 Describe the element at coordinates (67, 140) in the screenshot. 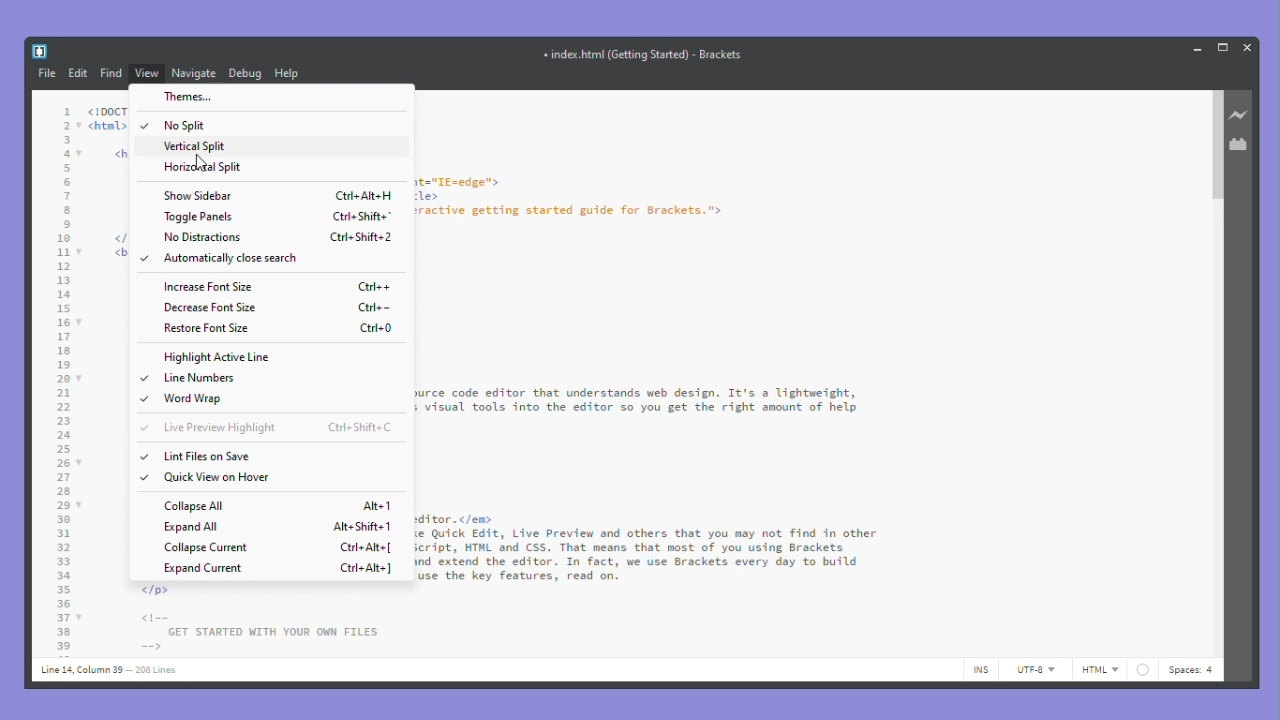

I see `3` at that location.